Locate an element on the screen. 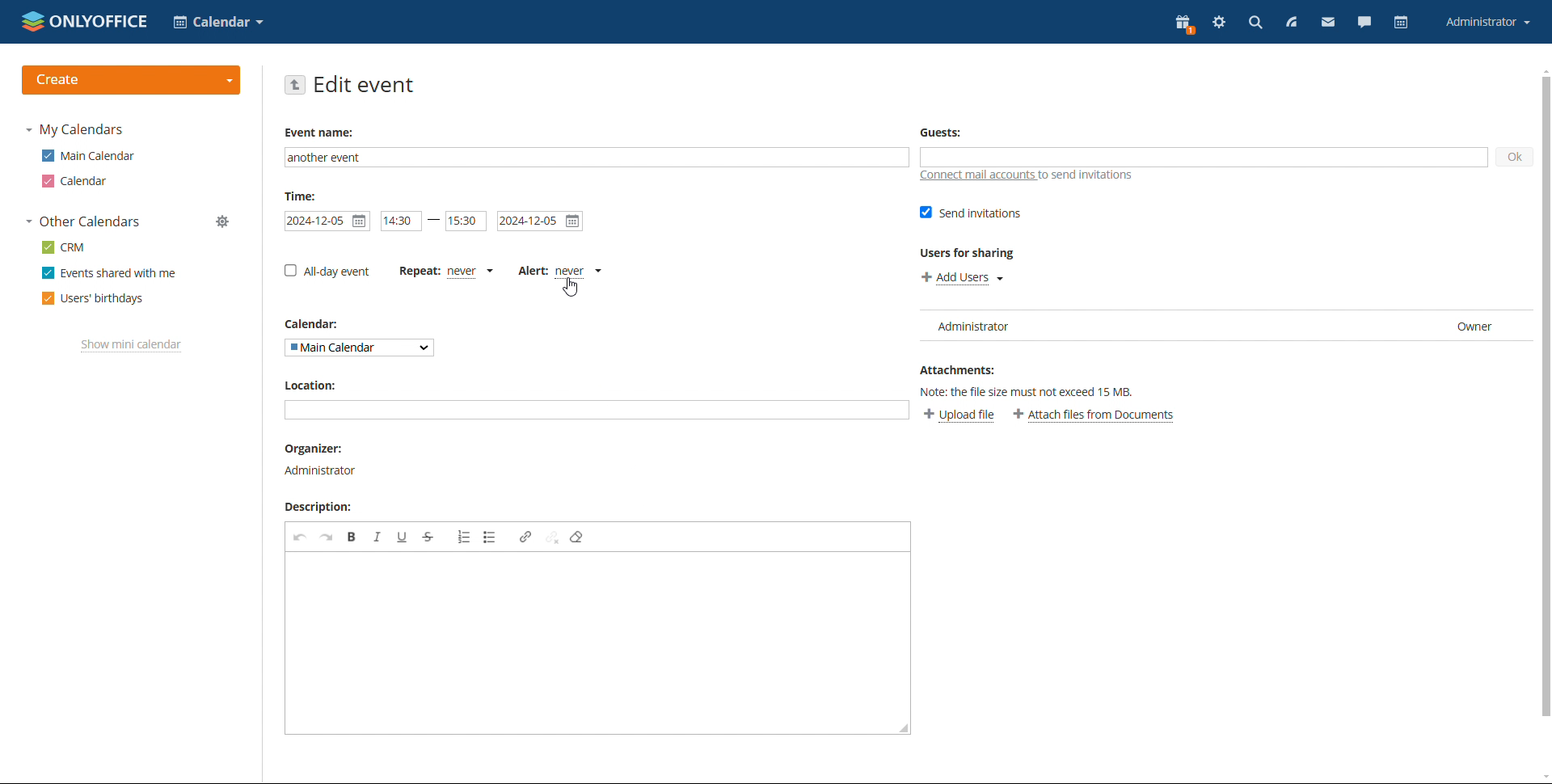  event repetition is located at coordinates (446, 272).